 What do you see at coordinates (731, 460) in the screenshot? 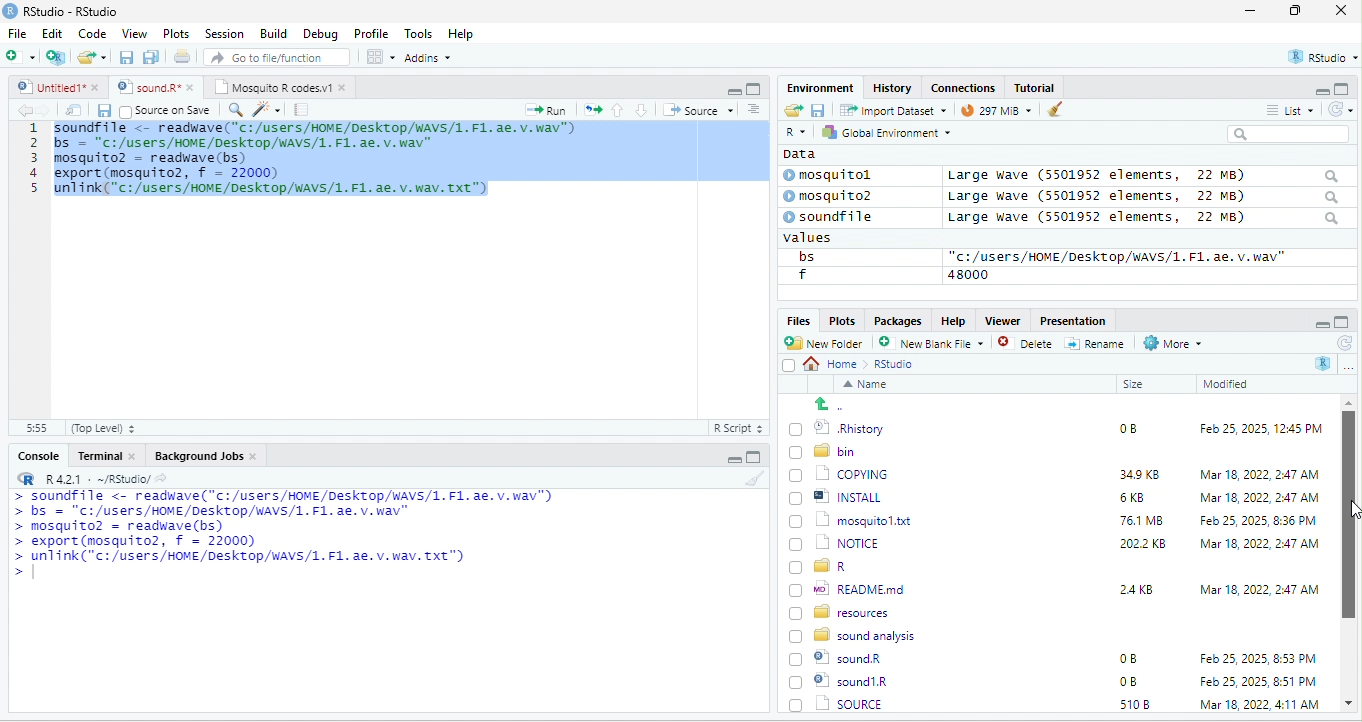
I see `minimize` at bounding box center [731, 460].